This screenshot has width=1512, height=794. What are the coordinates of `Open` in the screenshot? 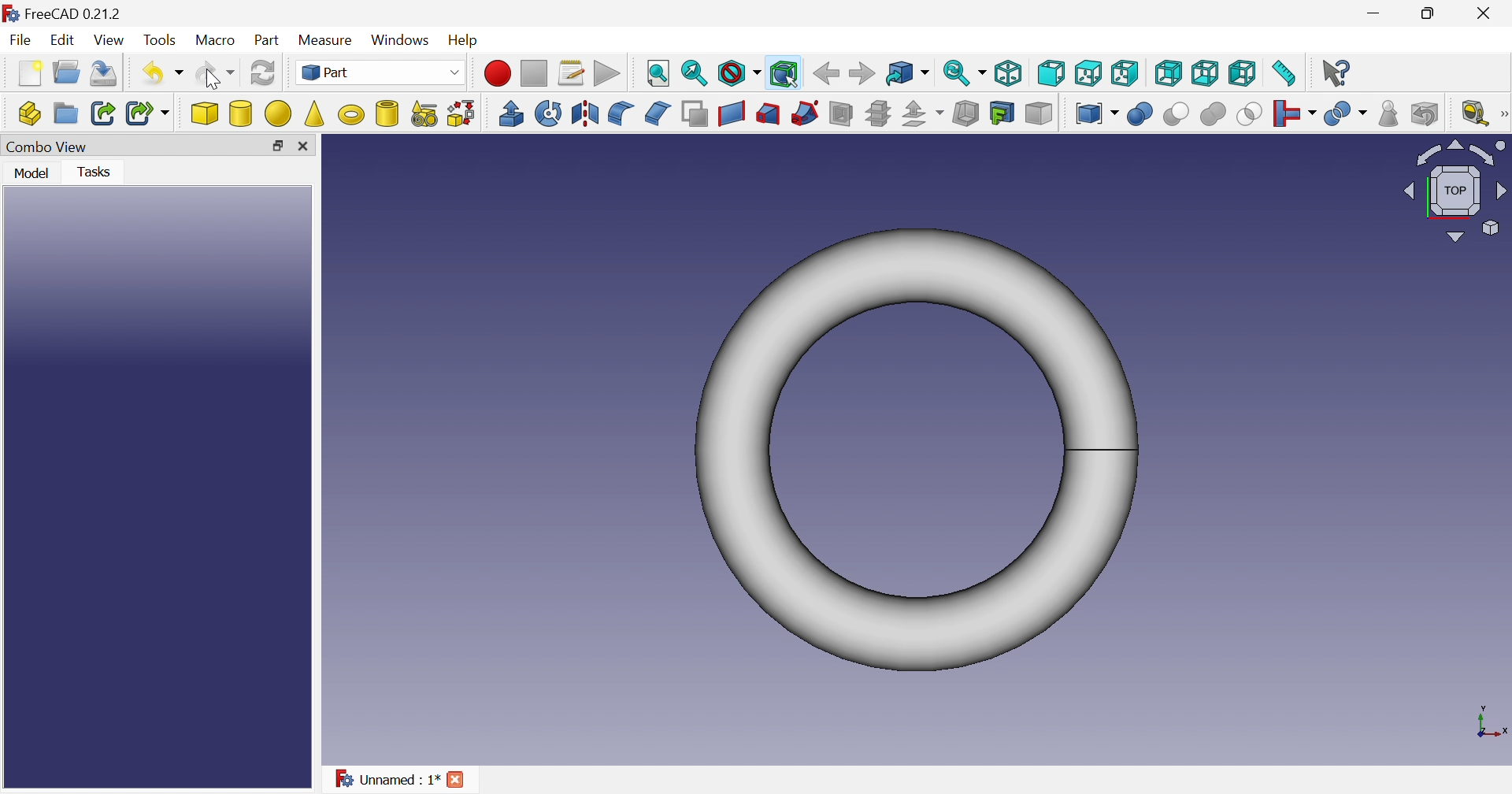 It's located at (65, 71).